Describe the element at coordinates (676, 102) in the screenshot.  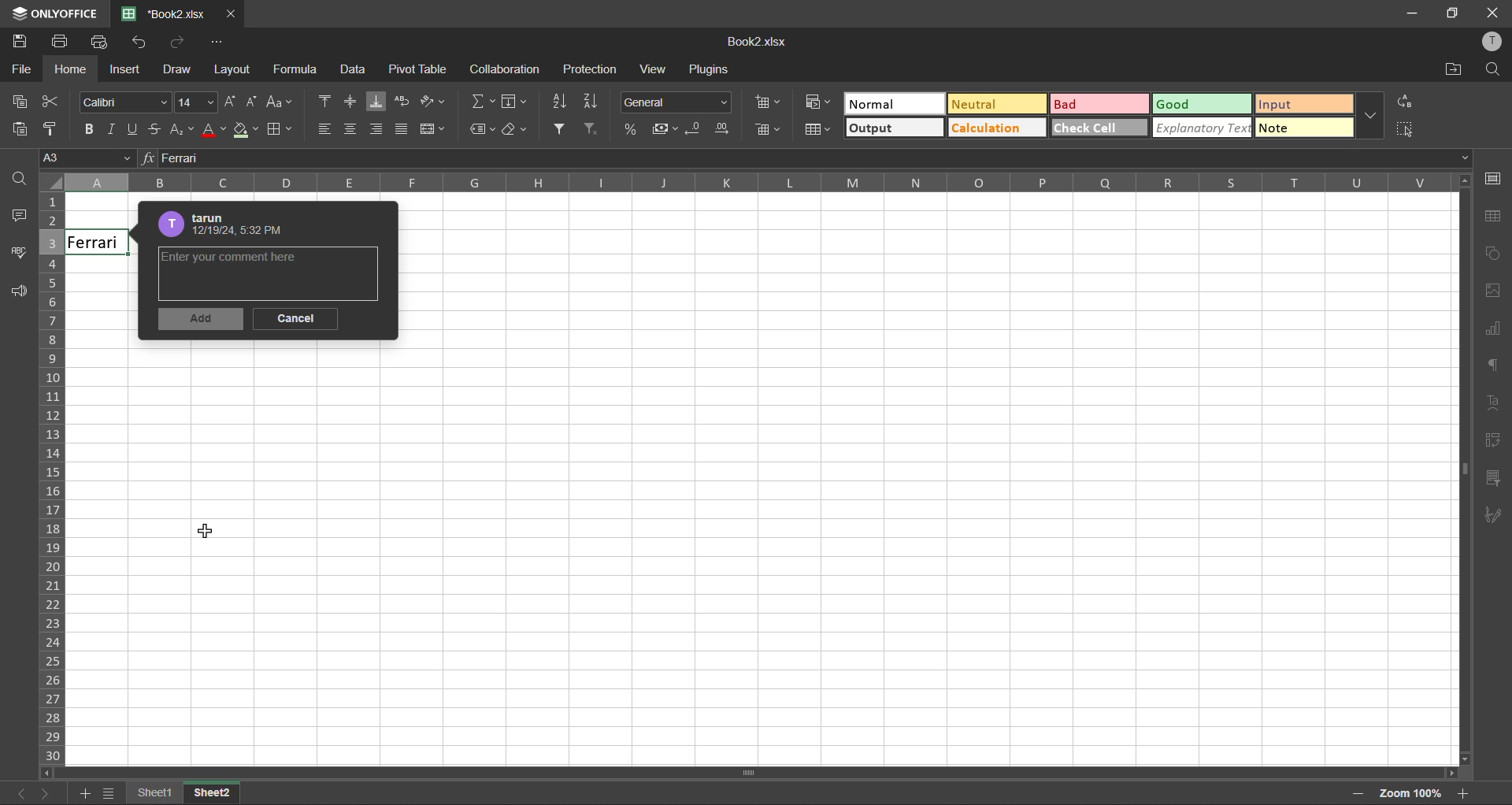
I see `number format` at that location.